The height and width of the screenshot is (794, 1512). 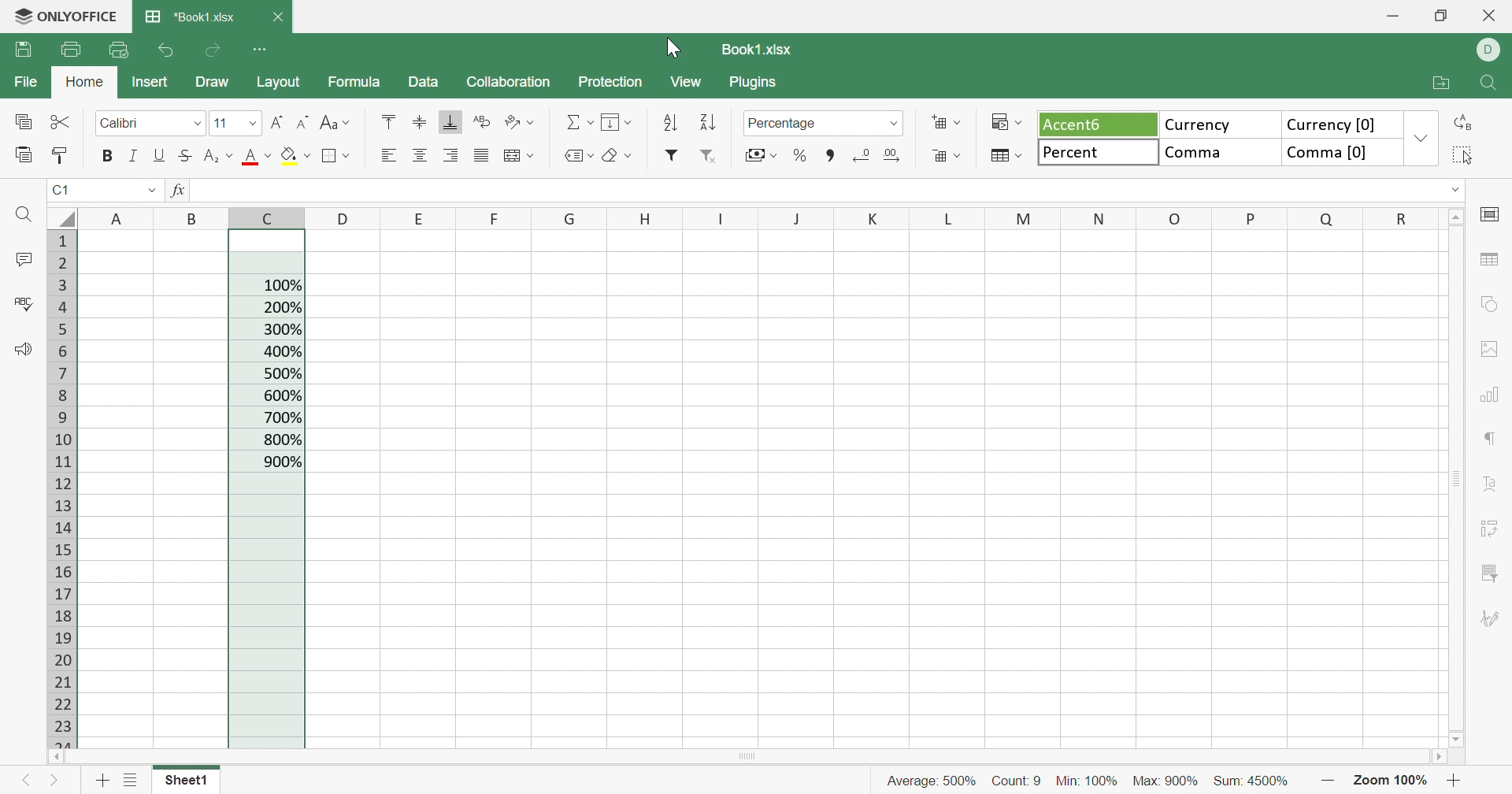 I want to click on Align Bottom, so click(x=452, y=121).